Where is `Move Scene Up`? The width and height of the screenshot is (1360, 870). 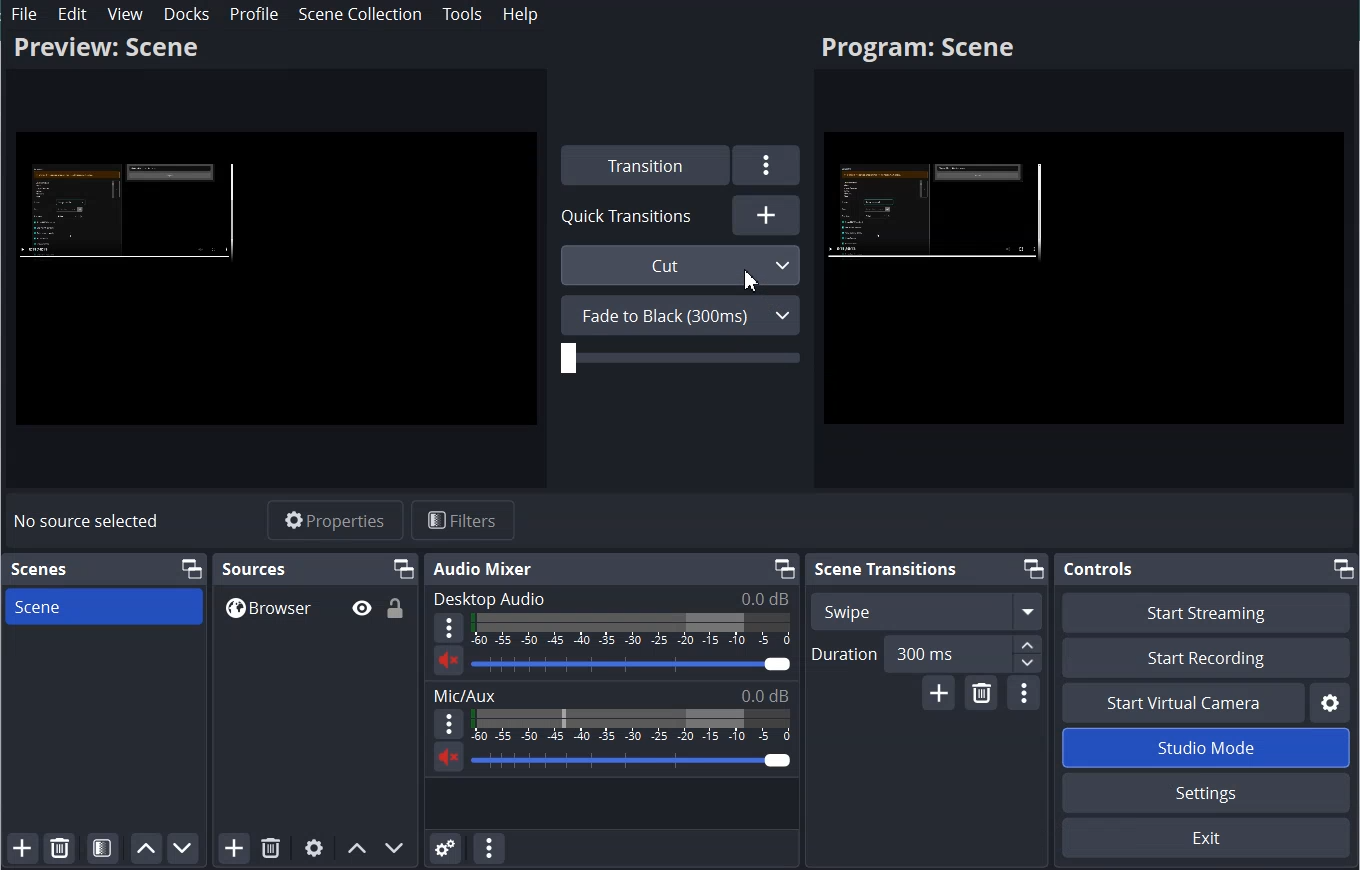 Move Scene Up is located at coordinates (146, 849).